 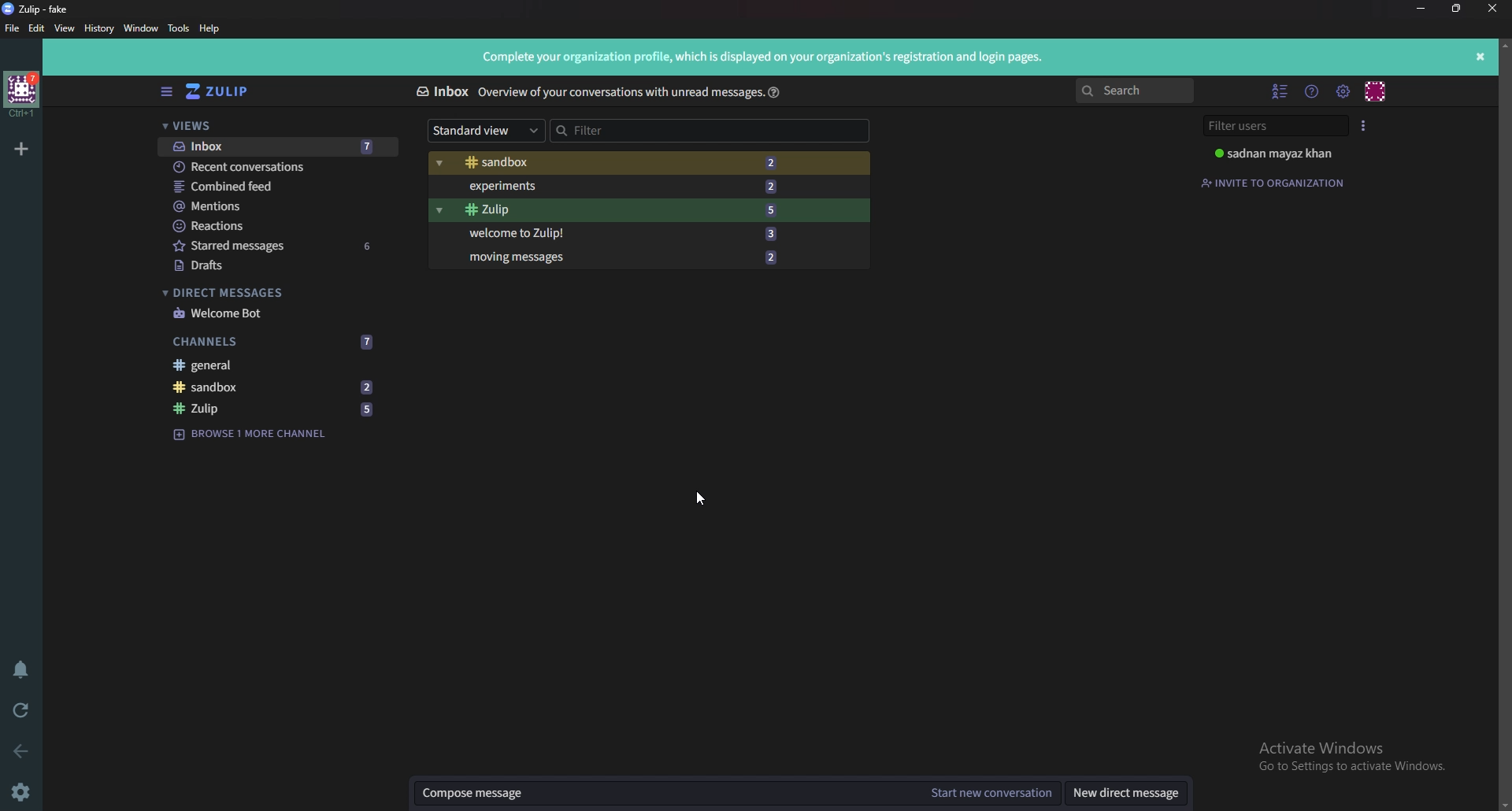 What do you see at coordinates (276, 226) in the screenshot?
I see `Reactions` at bounding box center [276, 226].